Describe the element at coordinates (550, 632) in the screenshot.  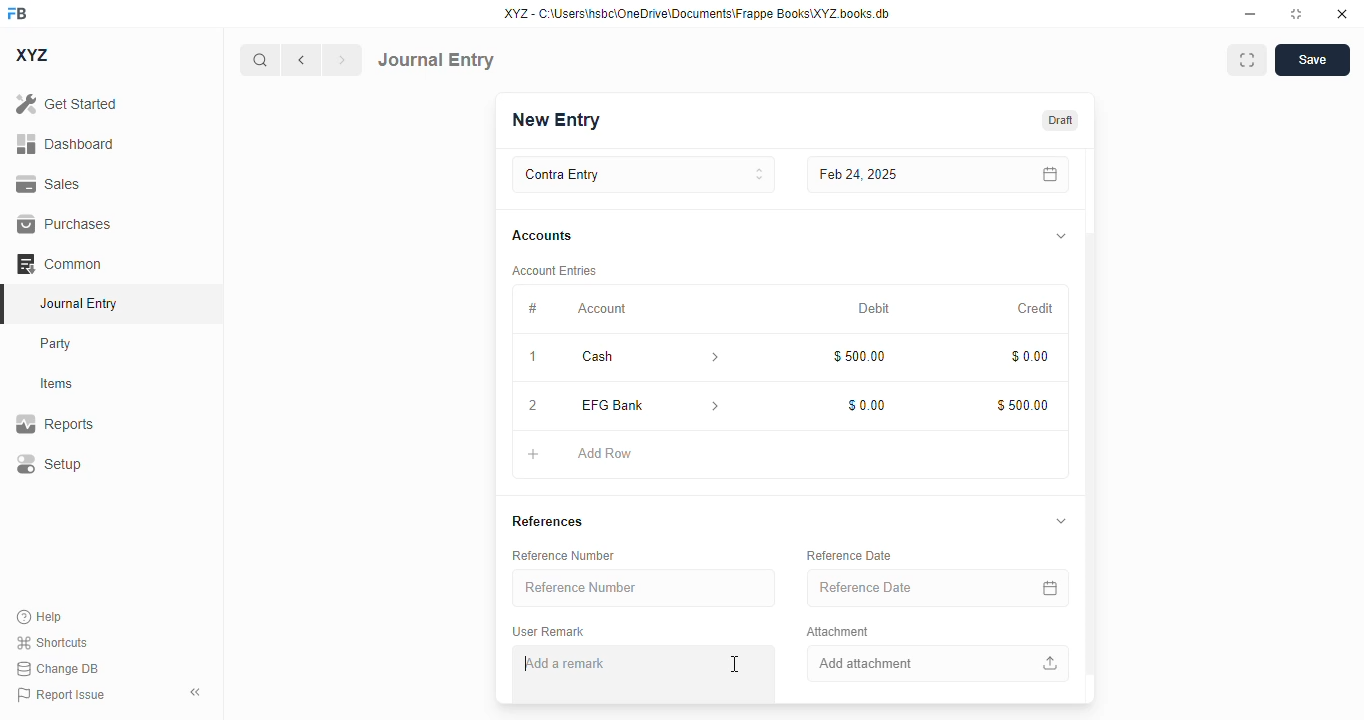
I see `user remark` at that location.